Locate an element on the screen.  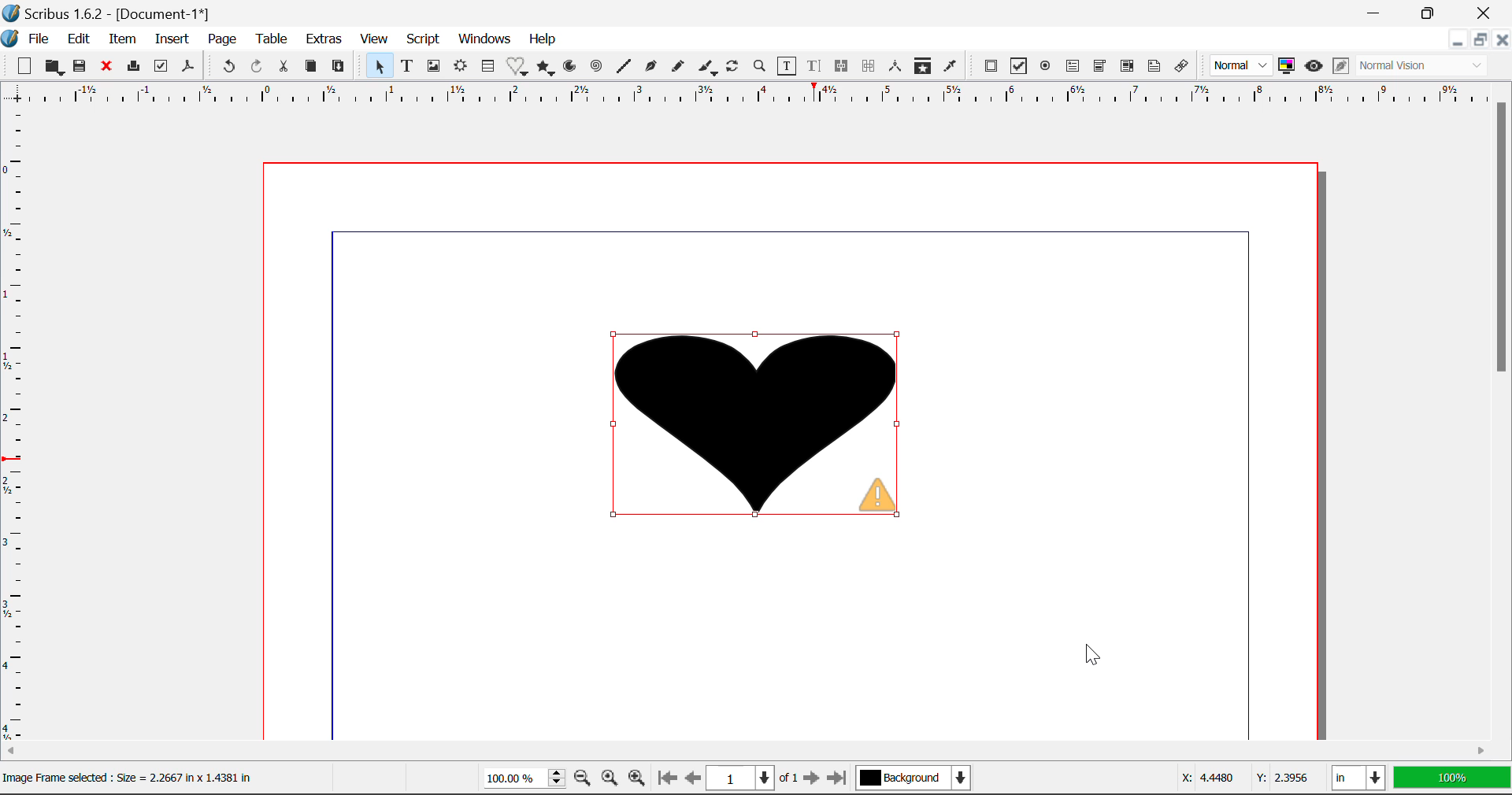
Calligraphic Curve is located at coordinates (708, 69).